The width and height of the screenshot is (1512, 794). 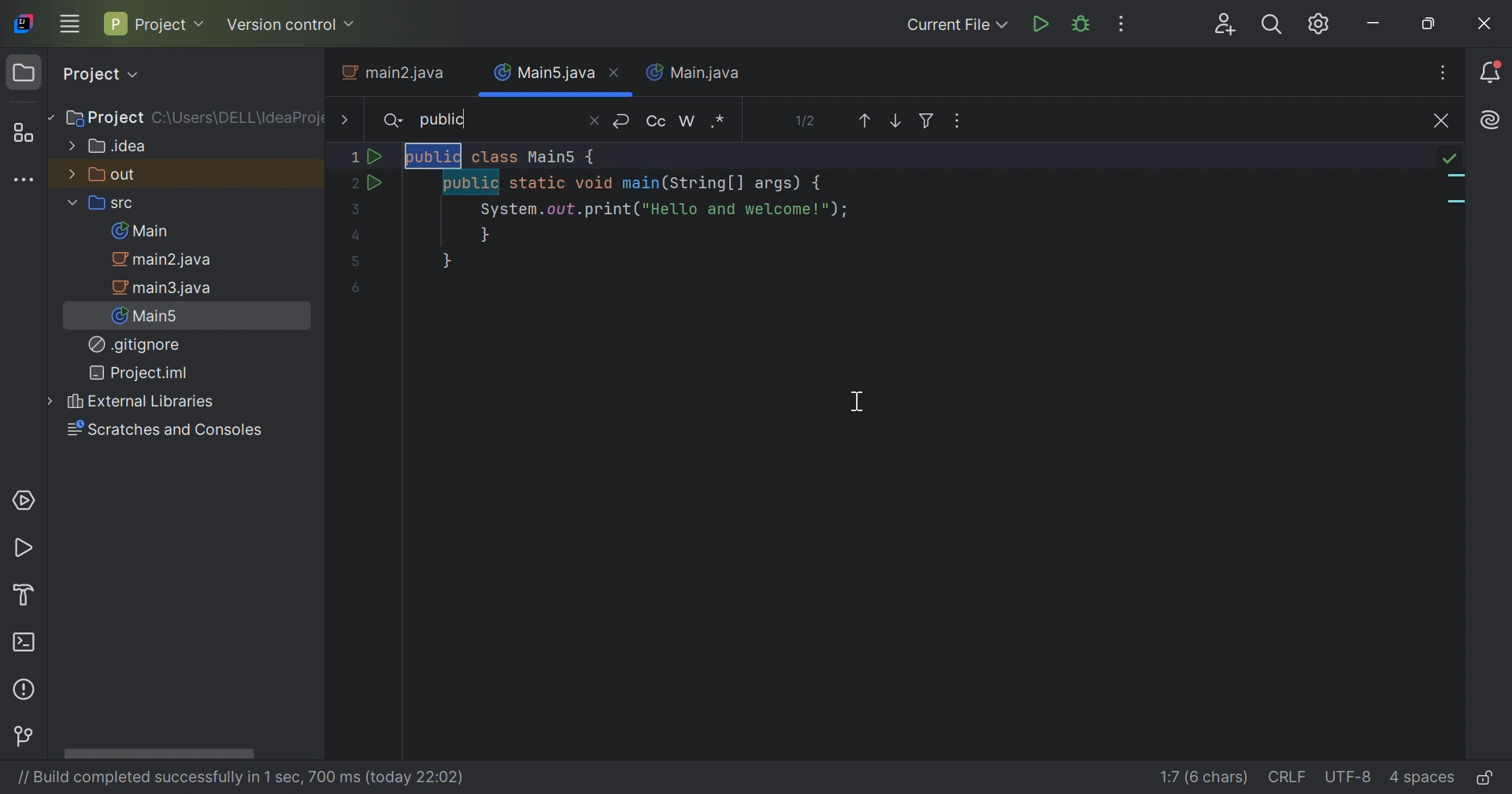 What do you see at coordinates (1442, 75) in the screenshot?
I see `Recent Files, Tab Actions, and More` at bounding box center [1442, 75].